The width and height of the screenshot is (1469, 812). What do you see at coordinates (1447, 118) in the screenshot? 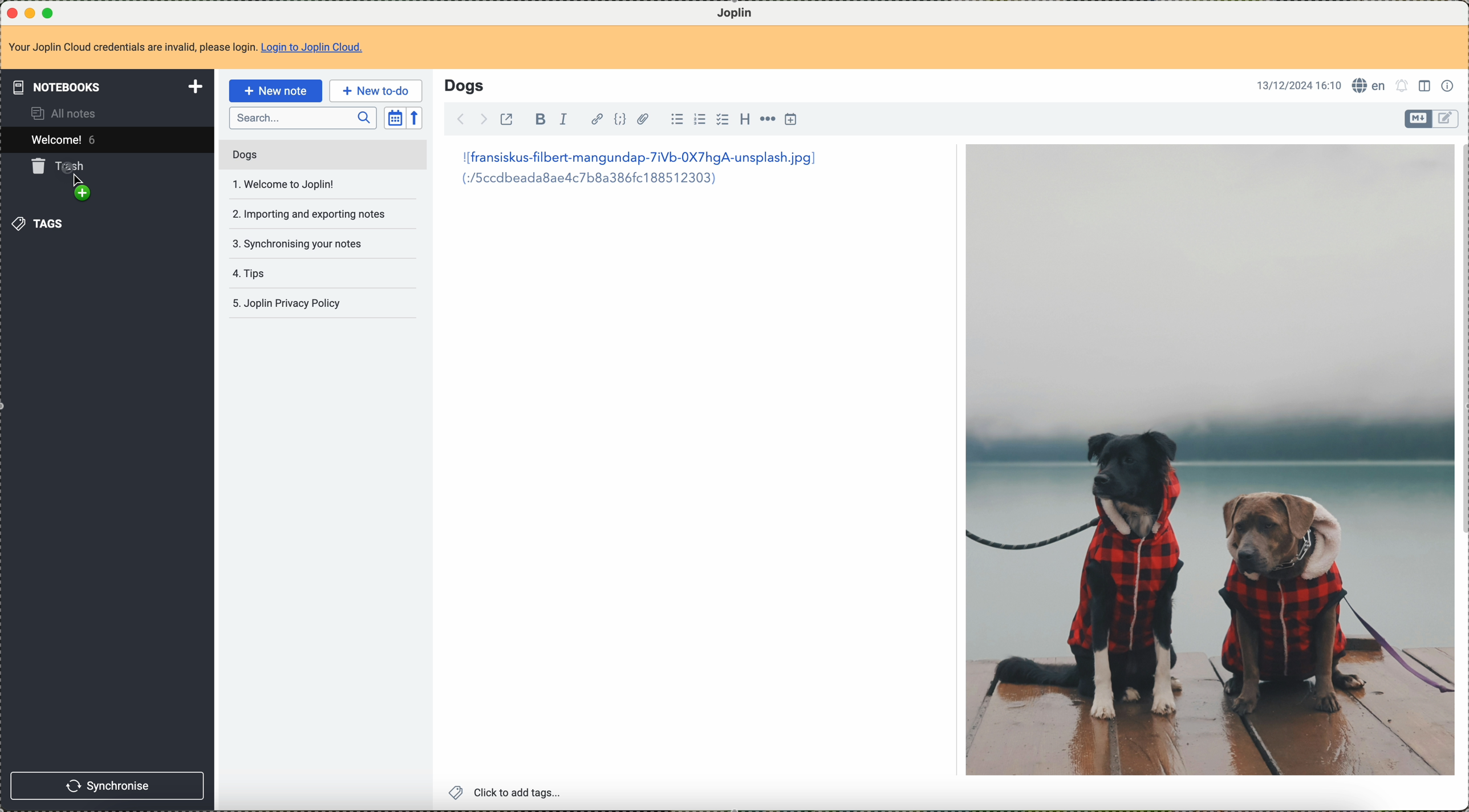
I see `toggle editor` at bounding box center [1447, 118].